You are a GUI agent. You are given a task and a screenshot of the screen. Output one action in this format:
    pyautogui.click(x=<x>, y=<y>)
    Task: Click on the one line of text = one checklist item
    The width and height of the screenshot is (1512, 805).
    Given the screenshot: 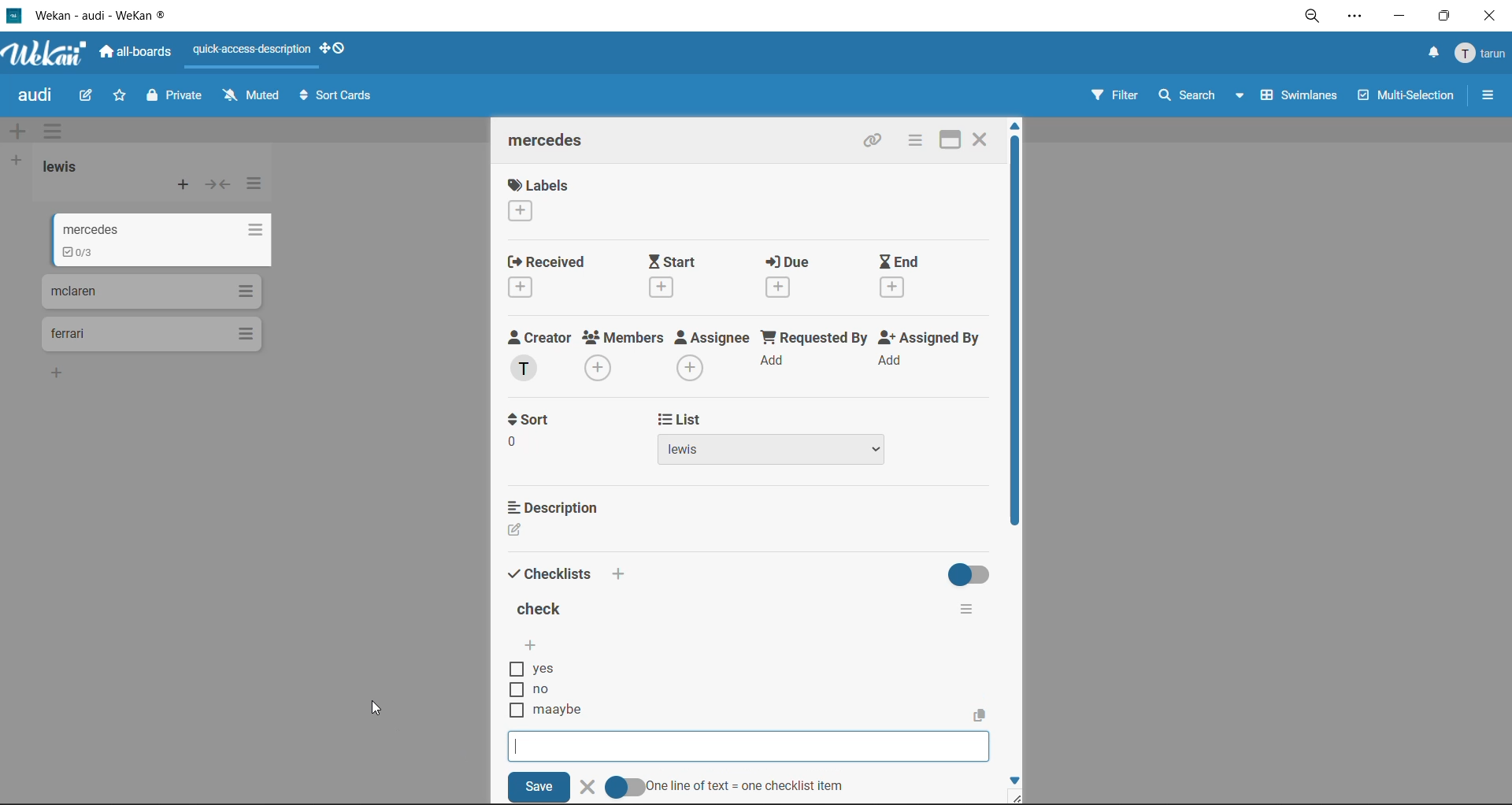 What is the action you would take?
    pyautogui.click(x=724, y=788)
    